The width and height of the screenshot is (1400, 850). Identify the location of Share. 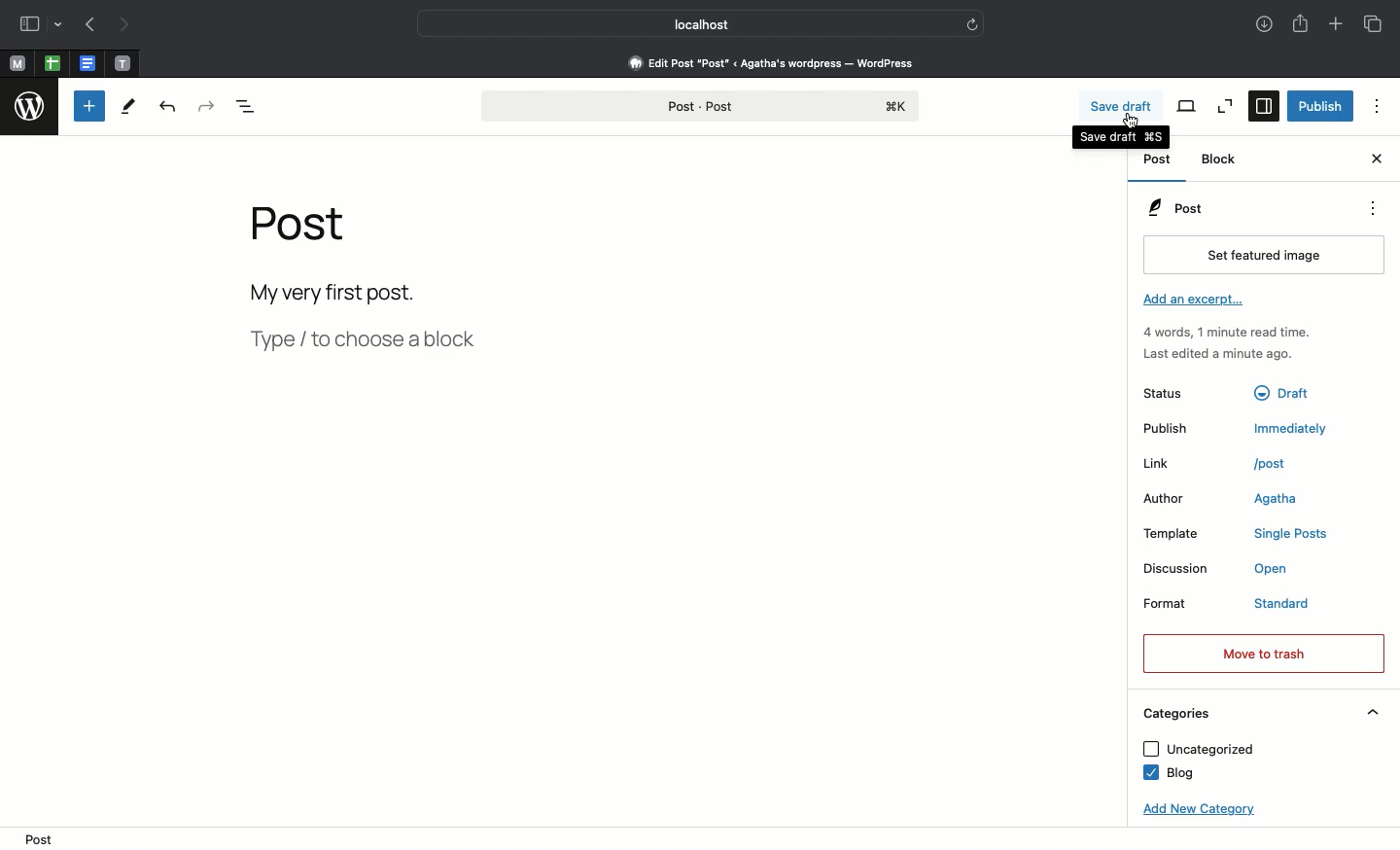
(1300, 25).